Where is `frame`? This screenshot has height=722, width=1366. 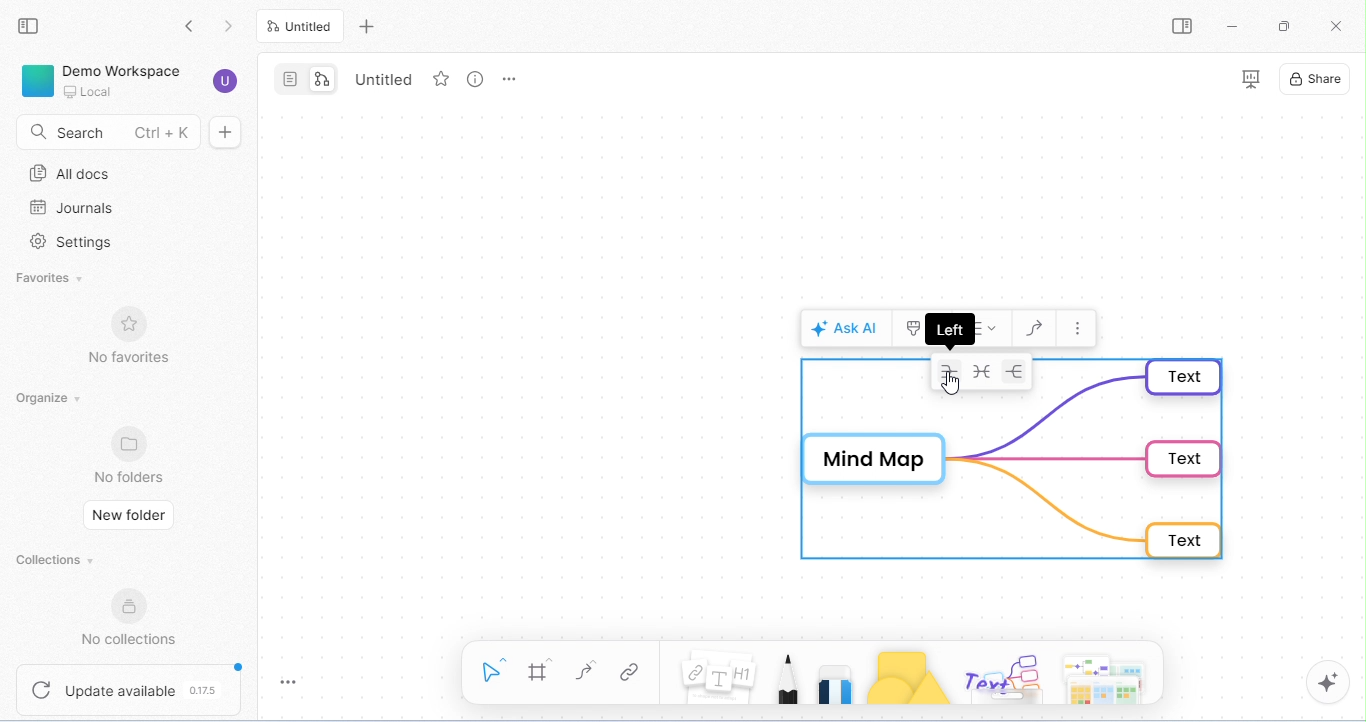 frame is located at coordinates (540, 671).